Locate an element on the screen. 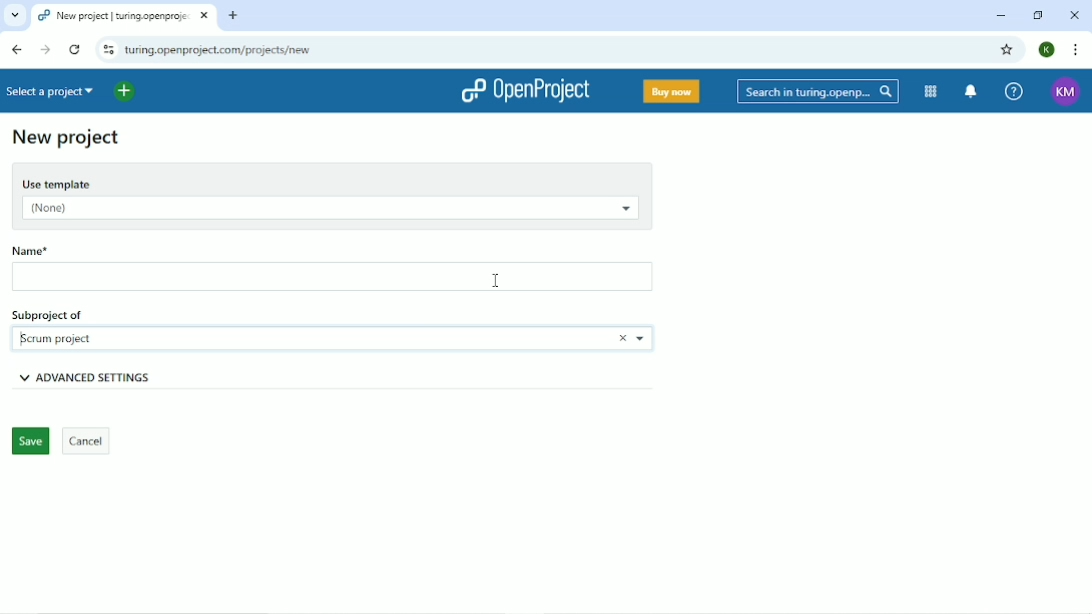  Buy now is located at coordinates (670, 93).